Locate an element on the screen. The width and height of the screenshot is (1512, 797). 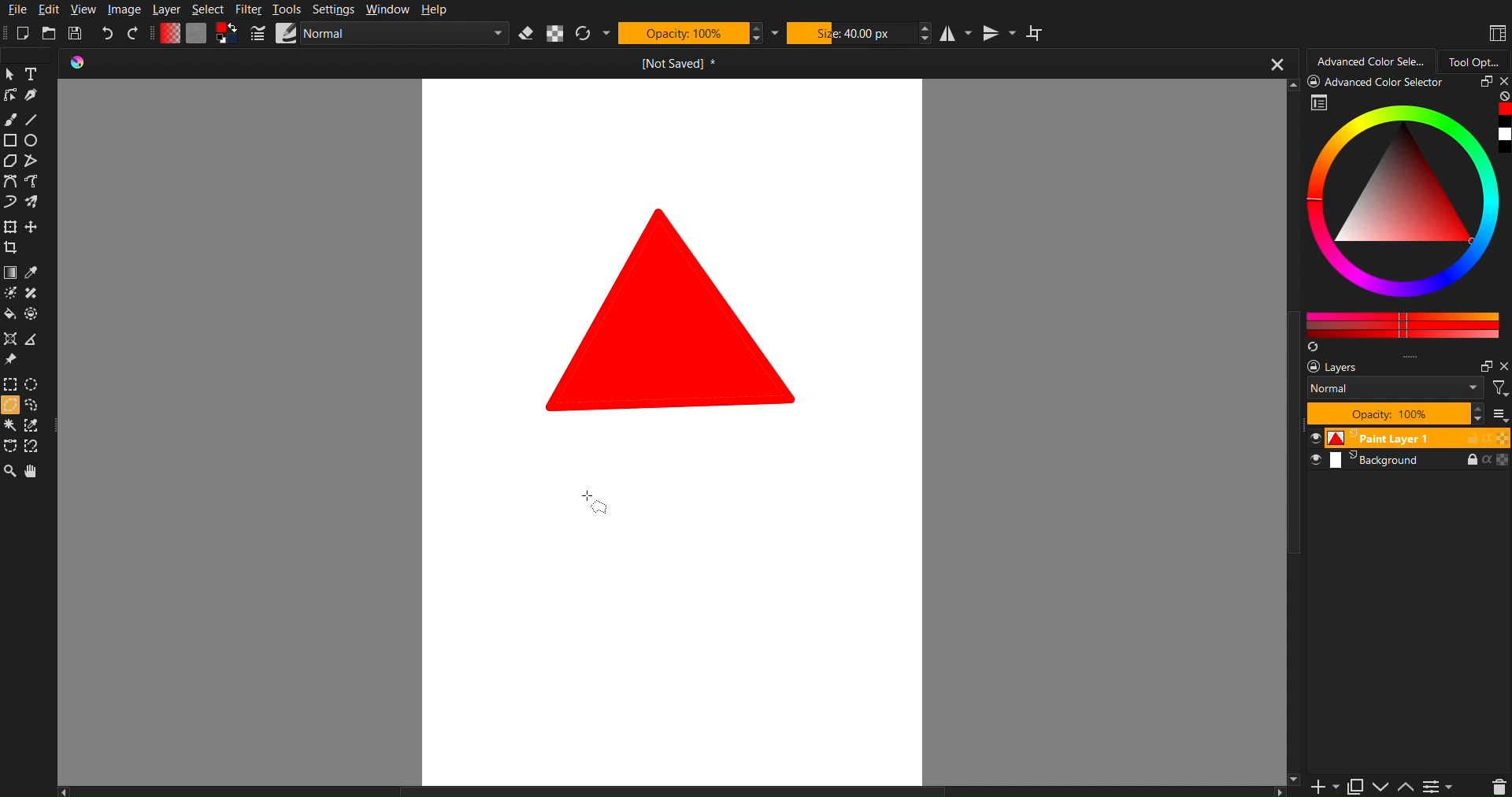
Horizontal Scrollbar is located at coordinates (675, 790).